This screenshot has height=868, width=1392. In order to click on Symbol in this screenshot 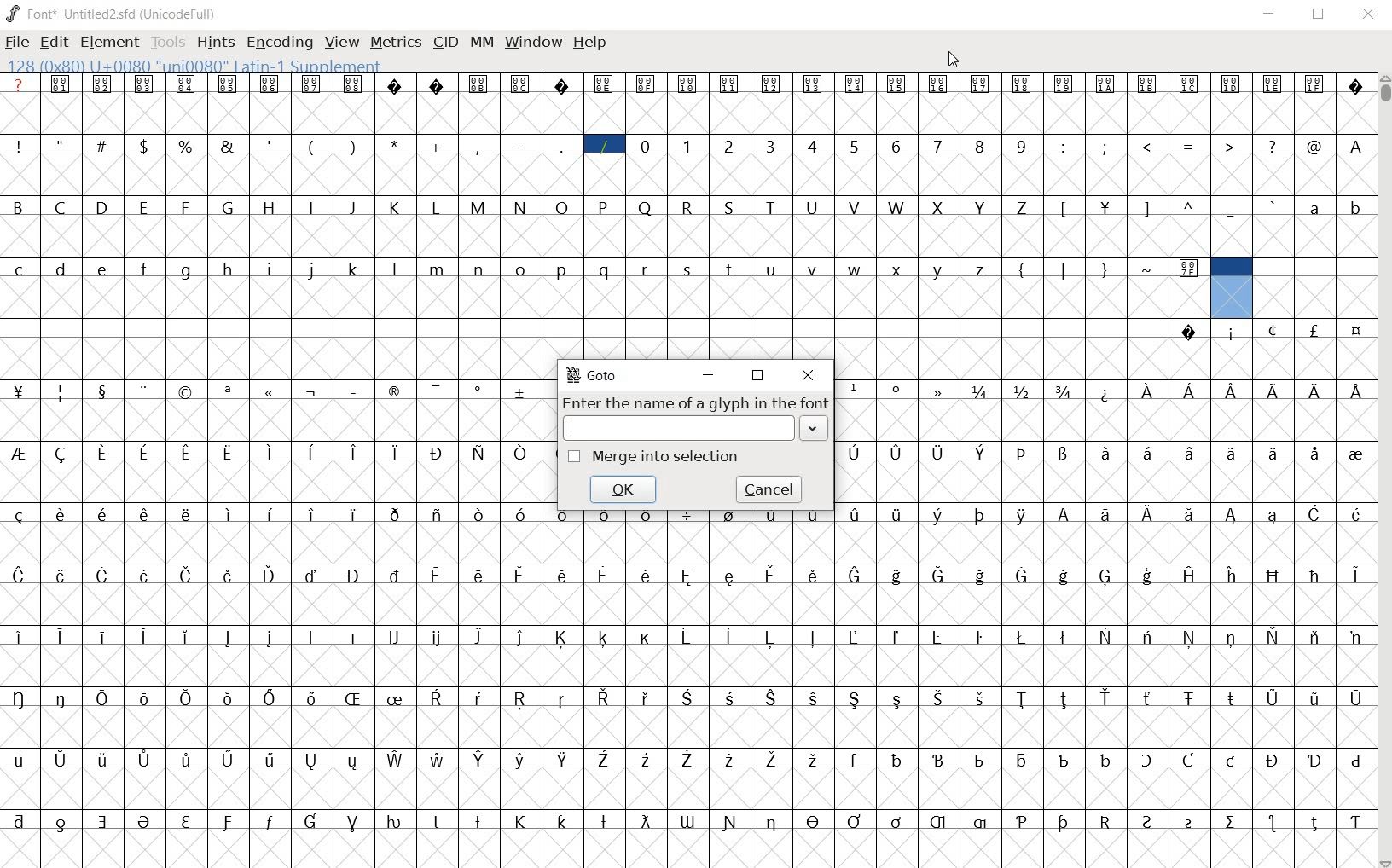, I will do `click(146, 758)`.